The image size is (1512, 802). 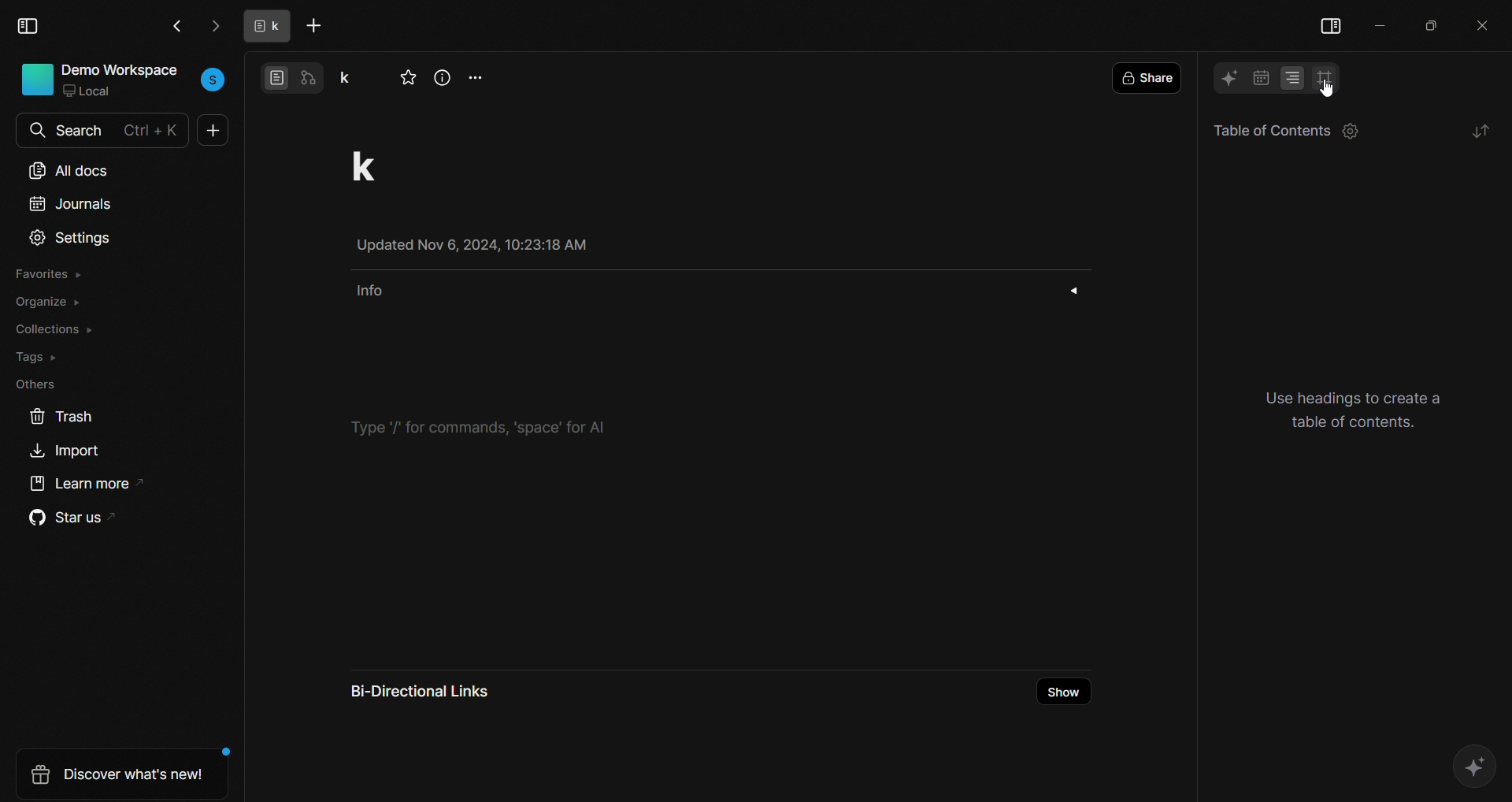 I want to click on local, so click(x=94, y=93).